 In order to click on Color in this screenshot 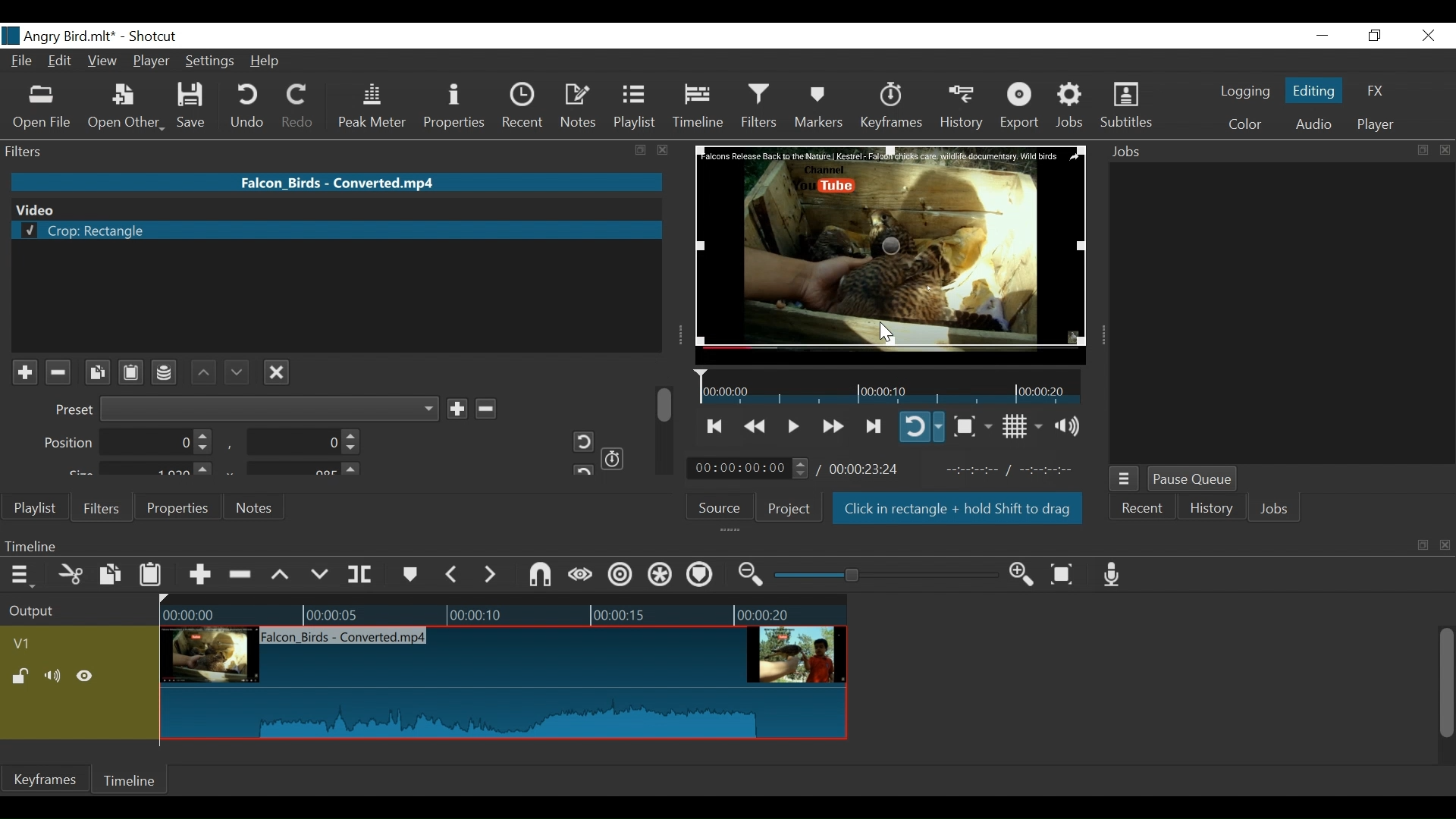, I will do `click(1241, 124)`.